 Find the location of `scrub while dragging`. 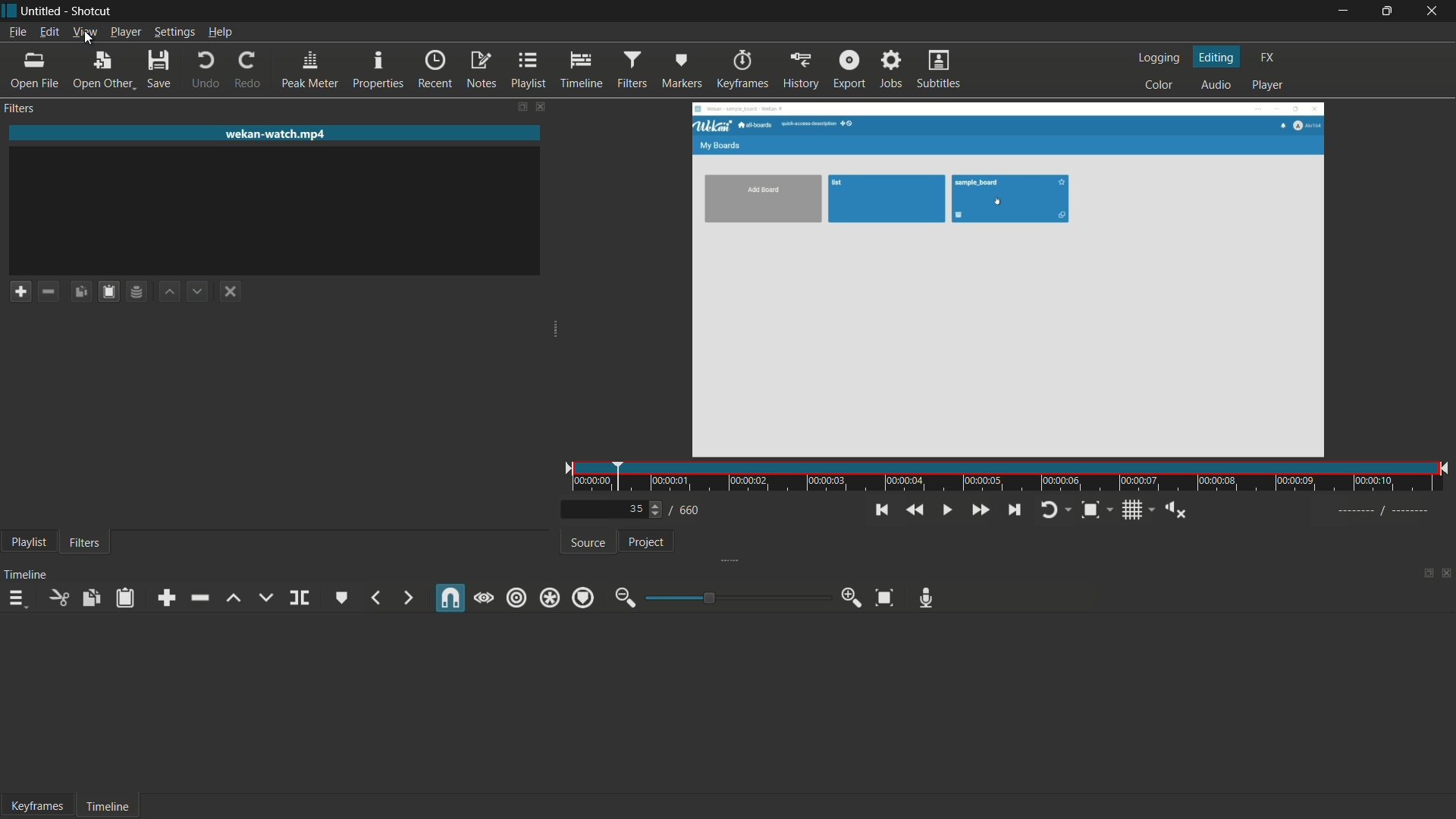

scrub while dragging is located at coordinates (484, 598).